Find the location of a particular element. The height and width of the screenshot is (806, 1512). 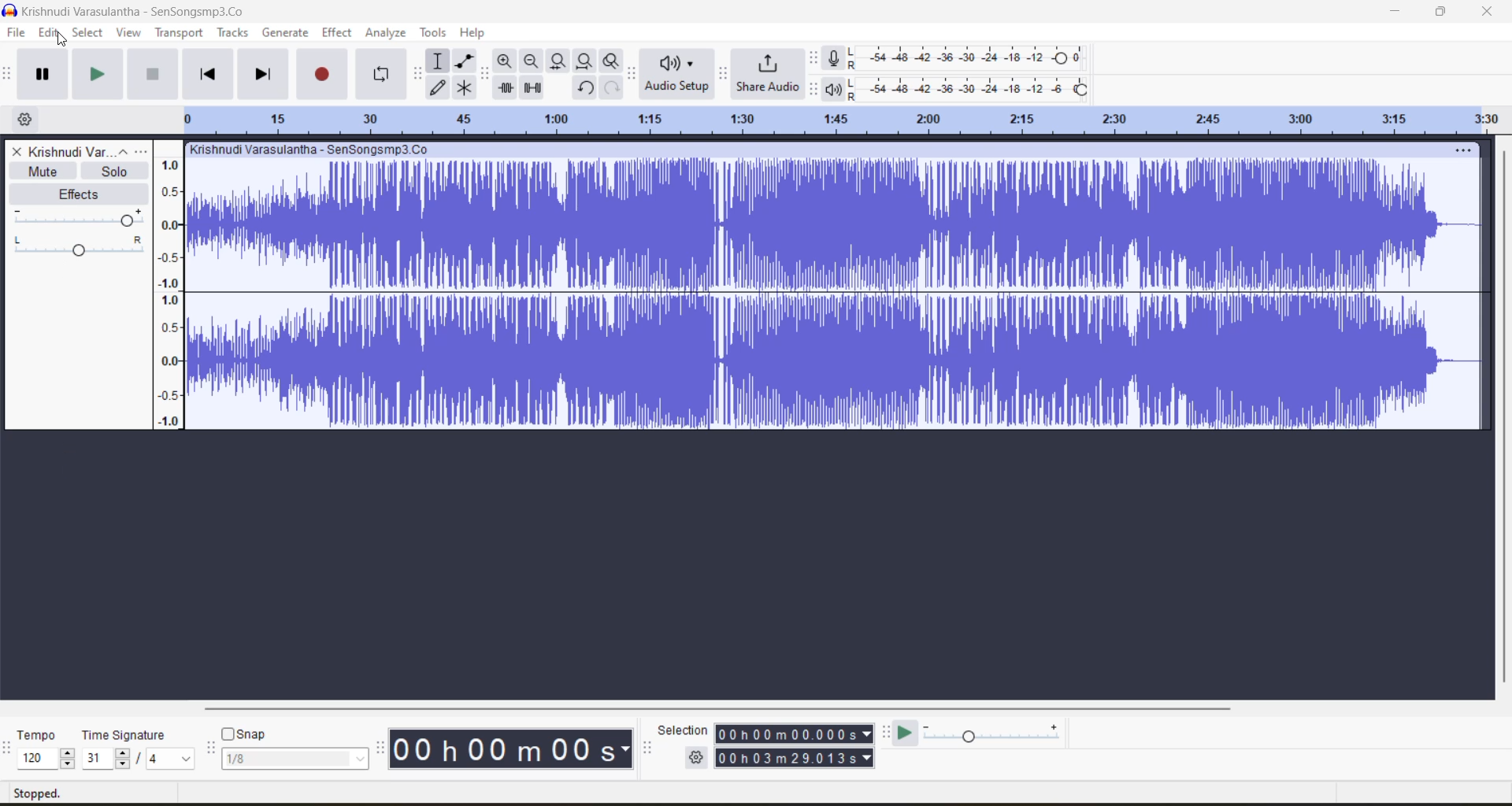

redo is located at coordinates (612, 87).